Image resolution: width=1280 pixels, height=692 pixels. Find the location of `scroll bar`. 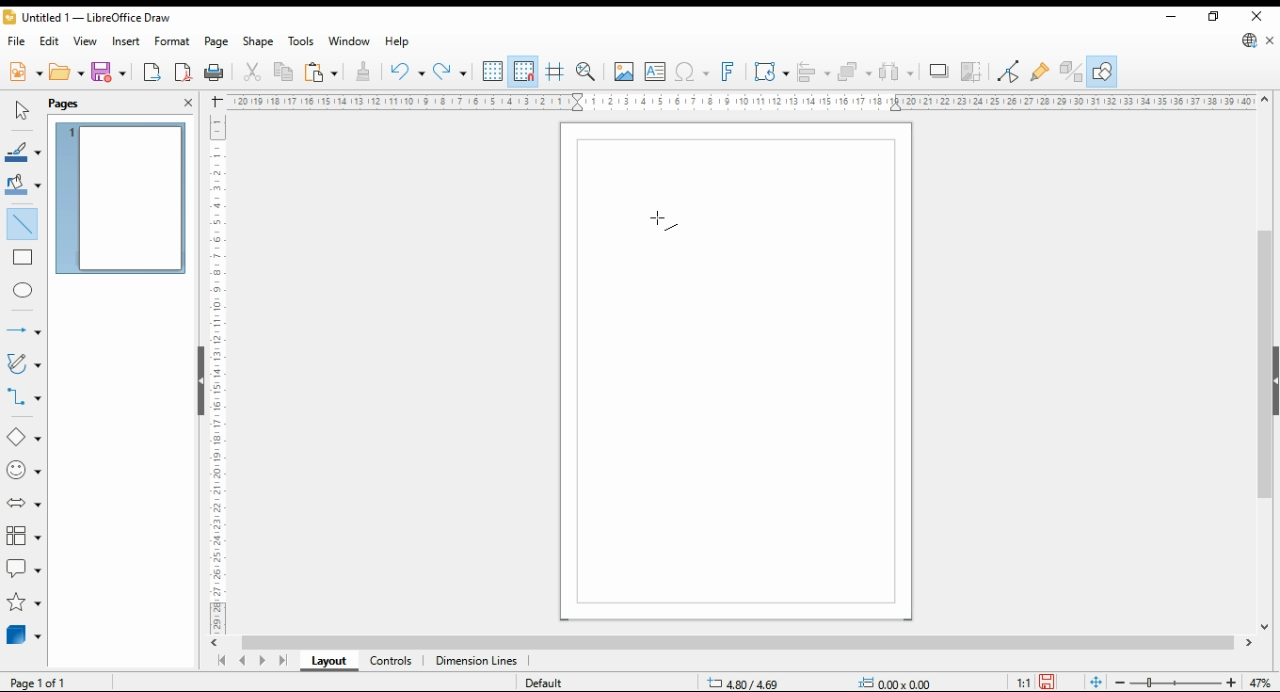

scroll bar is located at coordinates (1264, 361).